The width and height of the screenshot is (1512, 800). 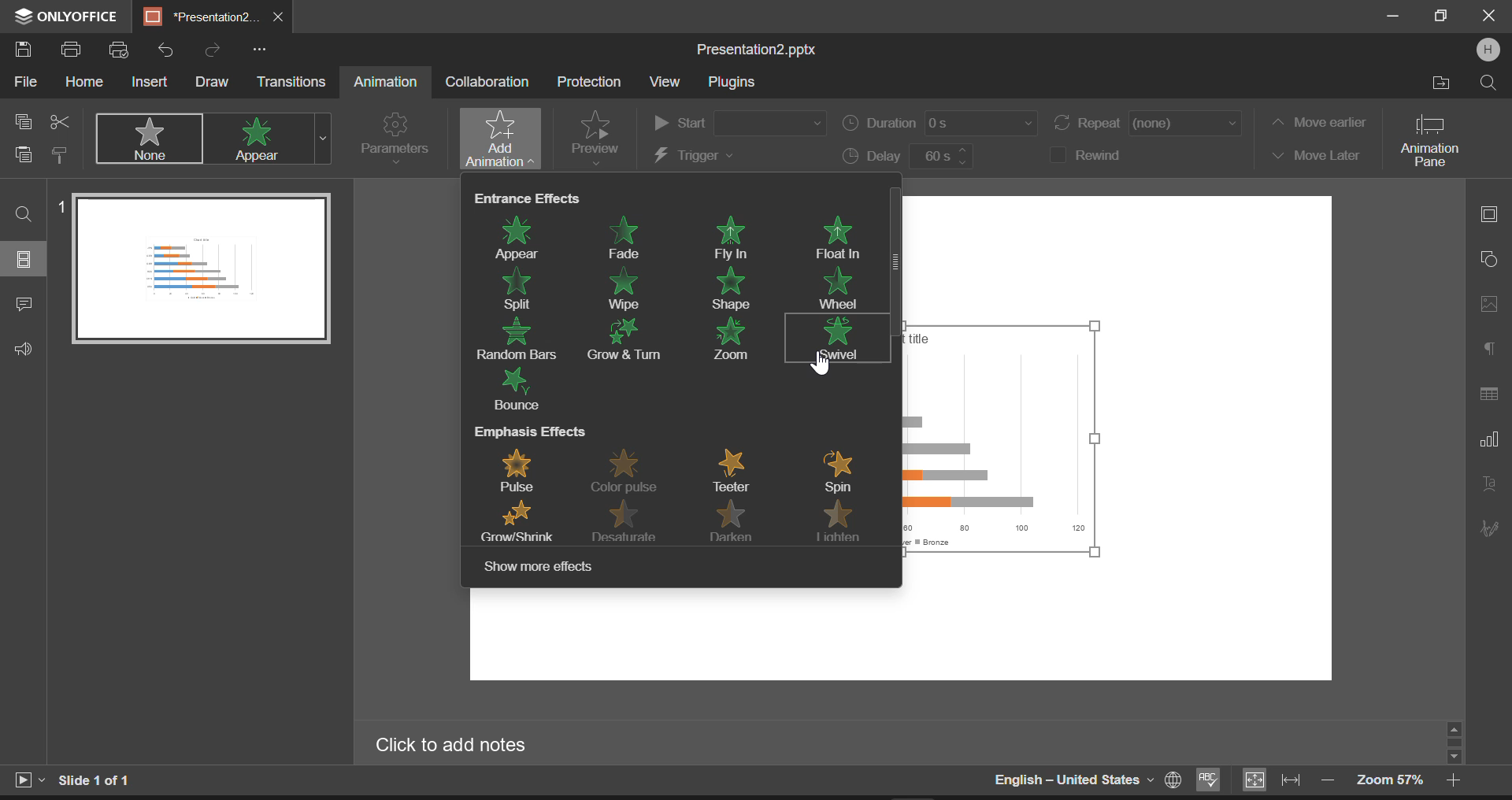 What do you see at coordinates (734, 341) in the screenshot?
I see `Zoom` at bounding box center [734, 341].